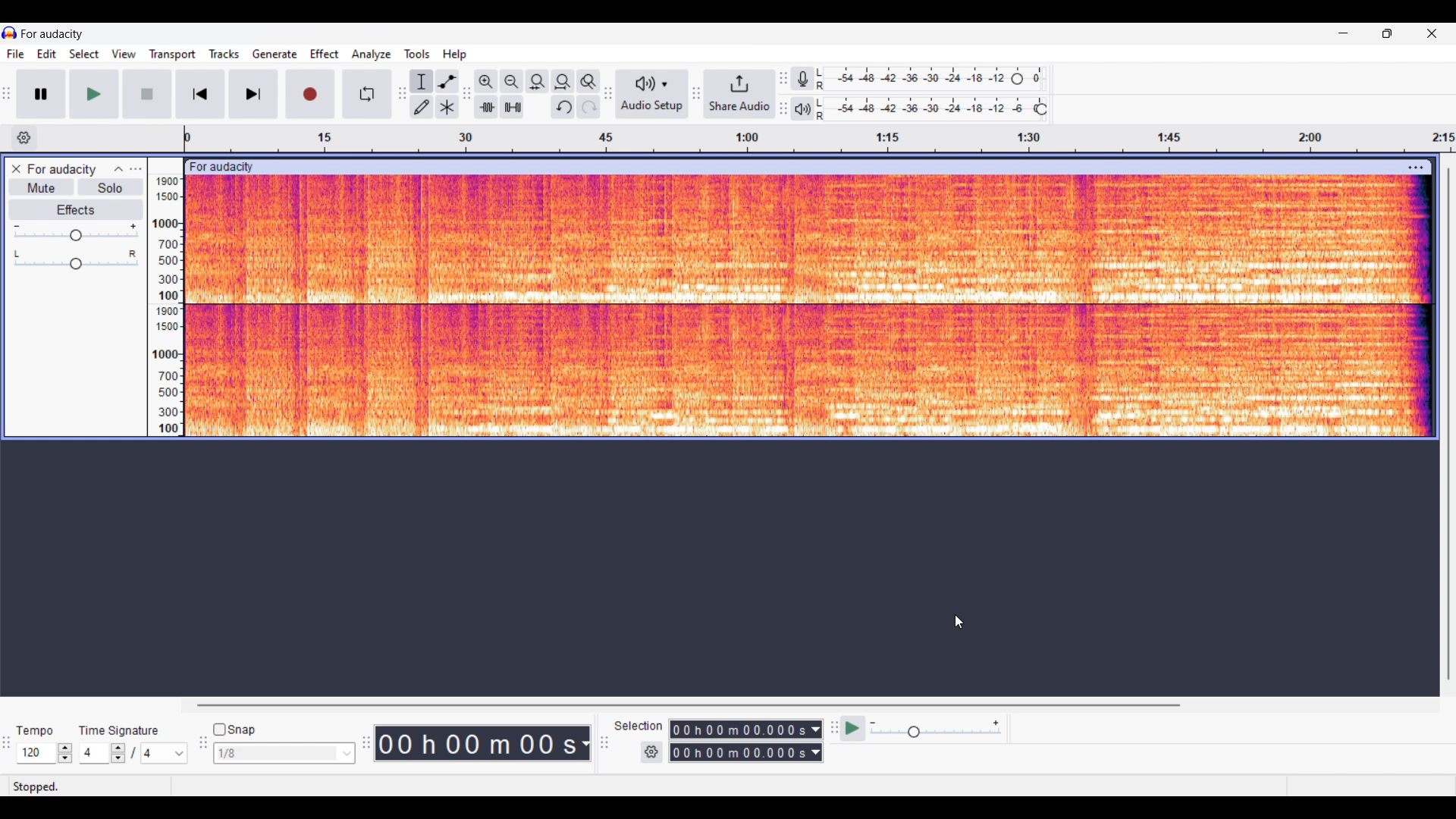 The width and height of the screenshot is (1456, 819). What do you see at coordinates (62, 169) in the screenshot?
I see `Track name` at bounding box center [62, 169].